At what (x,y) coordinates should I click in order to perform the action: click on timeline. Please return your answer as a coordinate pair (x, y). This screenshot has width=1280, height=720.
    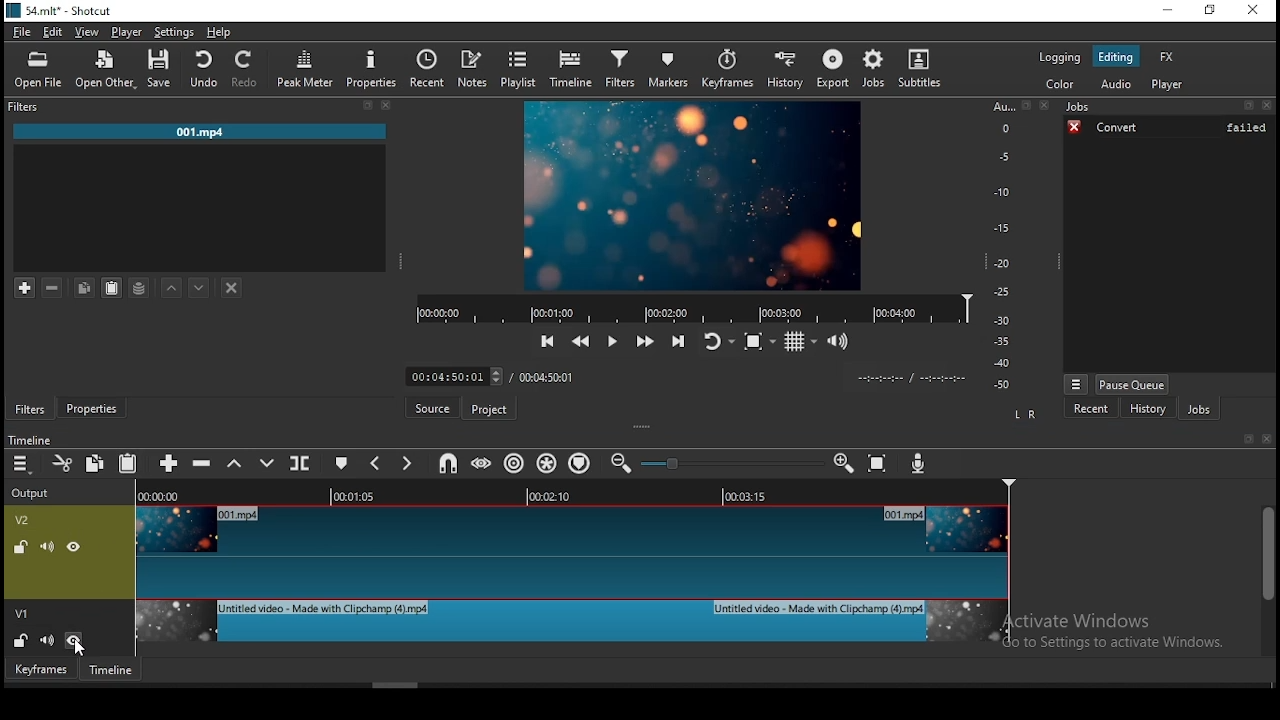
    Looking at the image, I should click on (571, 495).